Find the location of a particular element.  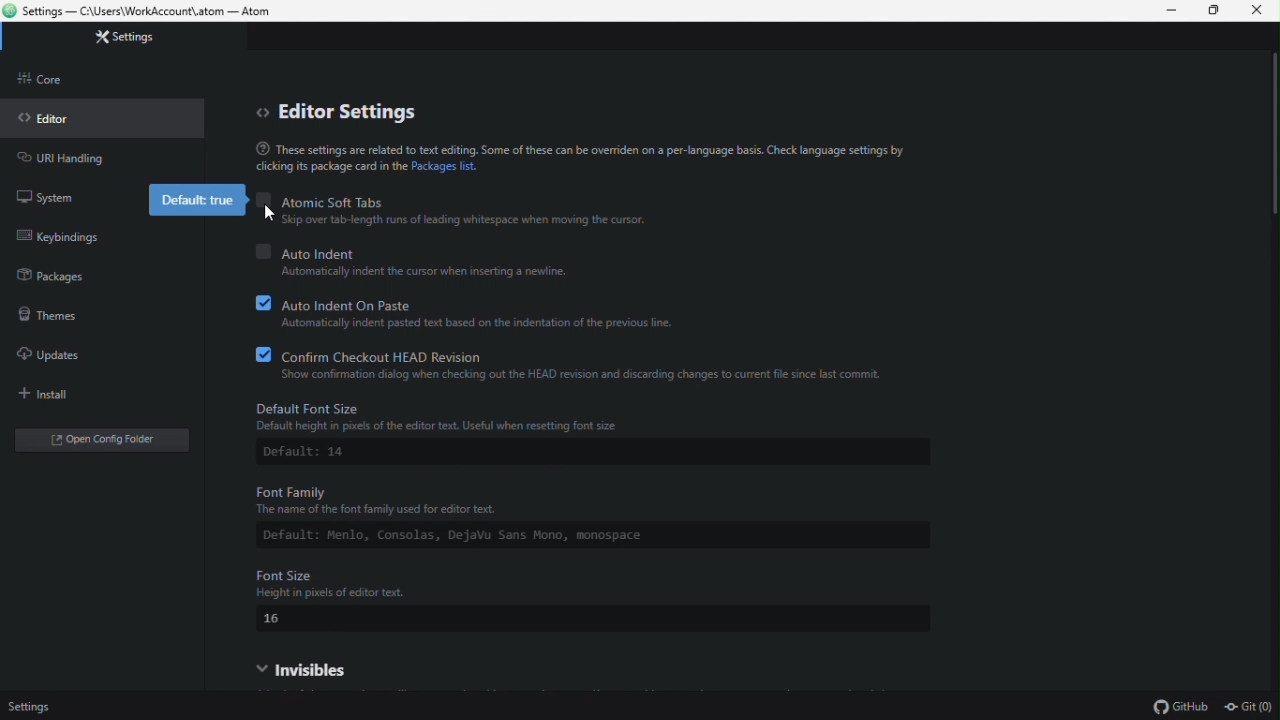

Default: 14 is located at coordinates (332, 452).